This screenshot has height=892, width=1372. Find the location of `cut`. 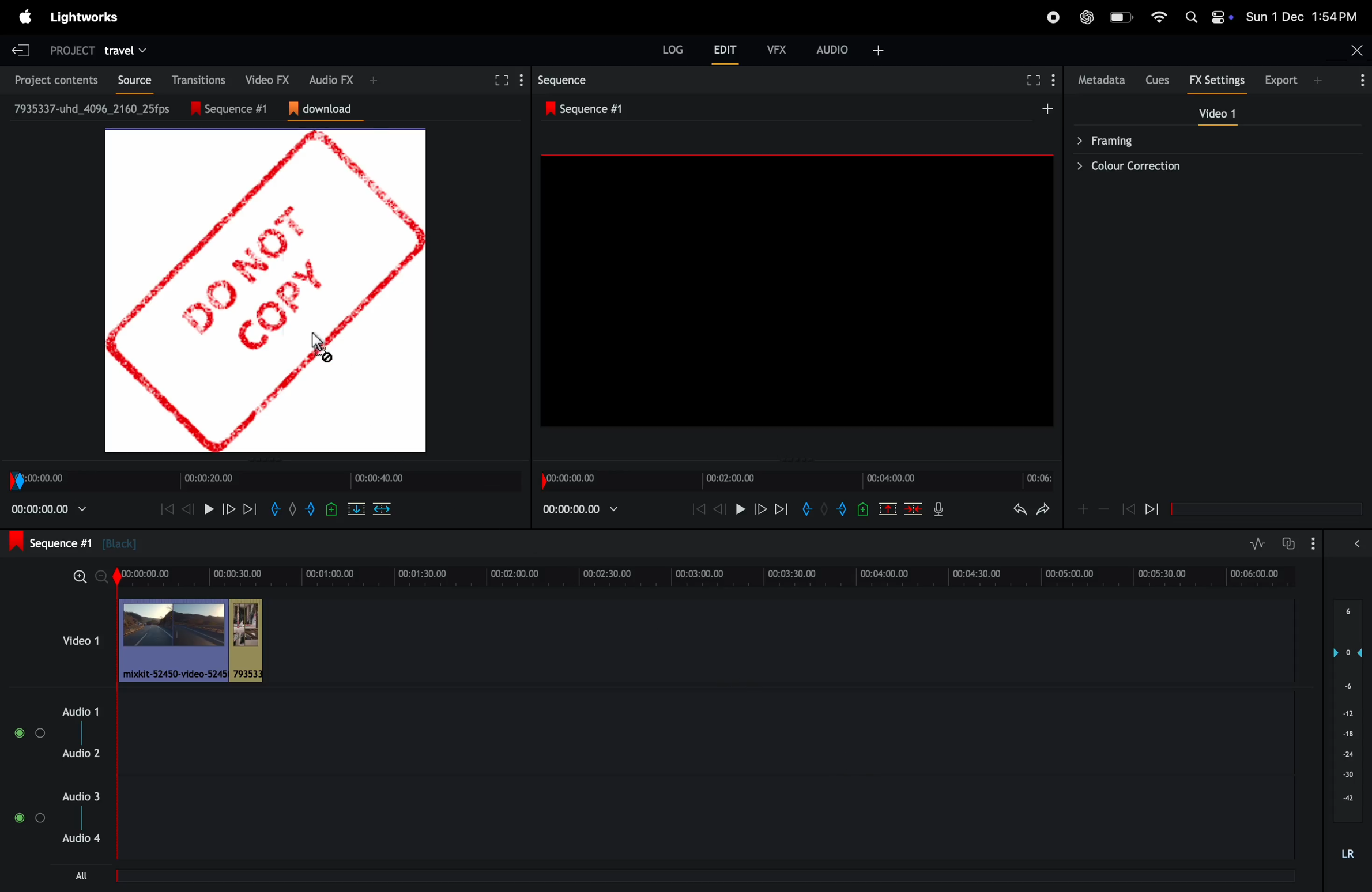

cut is located at coordinates (356, 509).